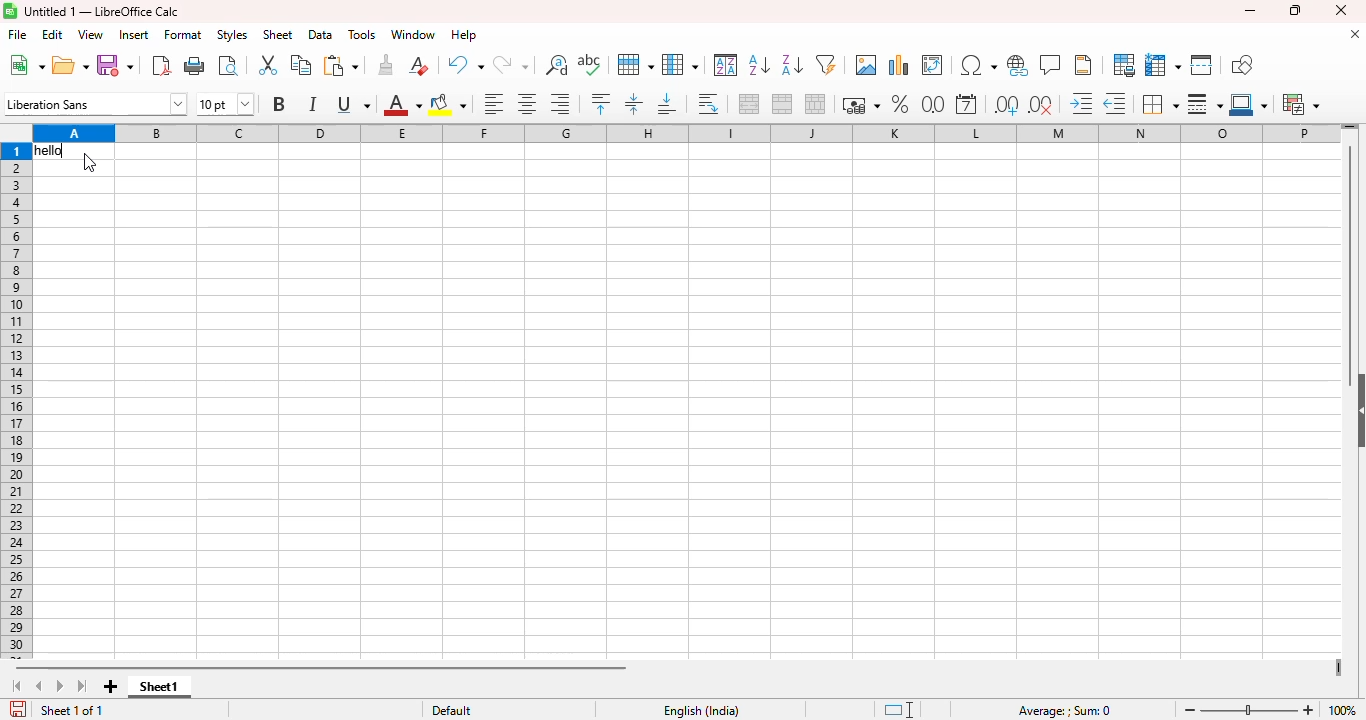  What do you see at coordinates (414, 34) in the screenshot?
I see `window` at bounding box center [414, 34].